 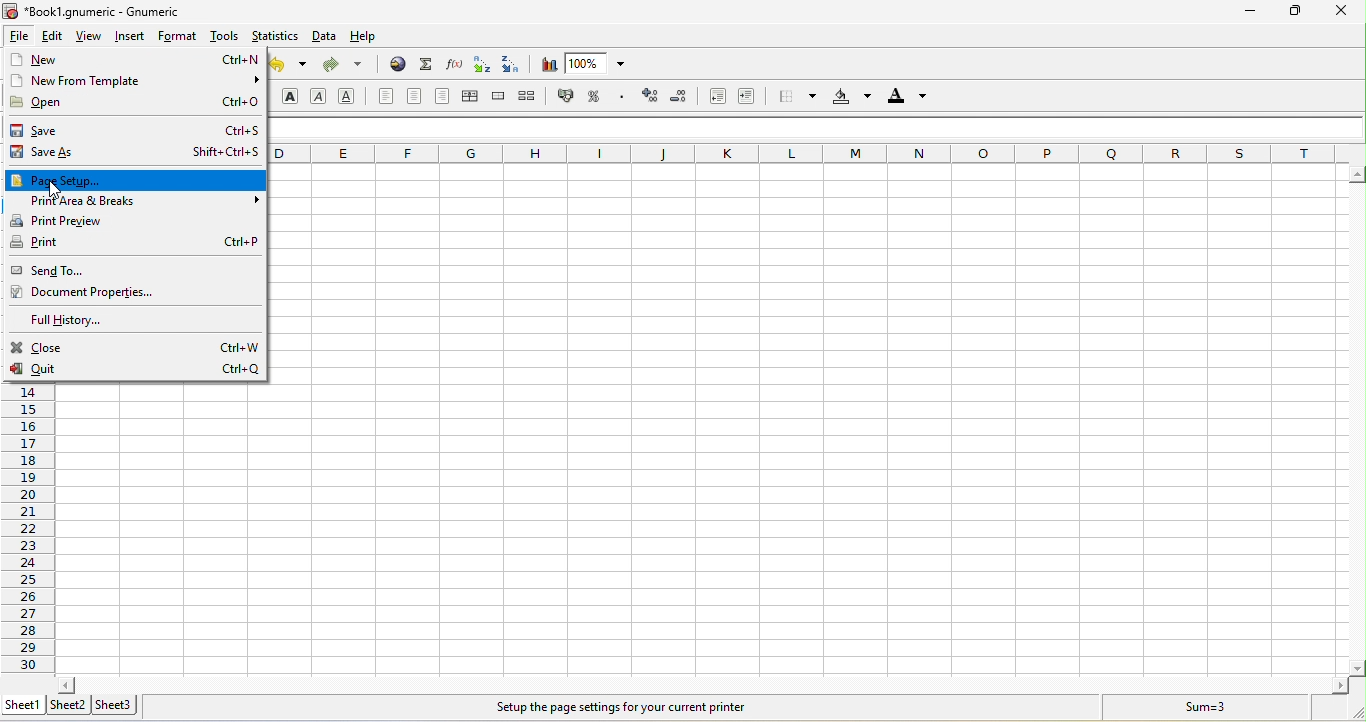 I want to click on help, so click(x=377, y=39).